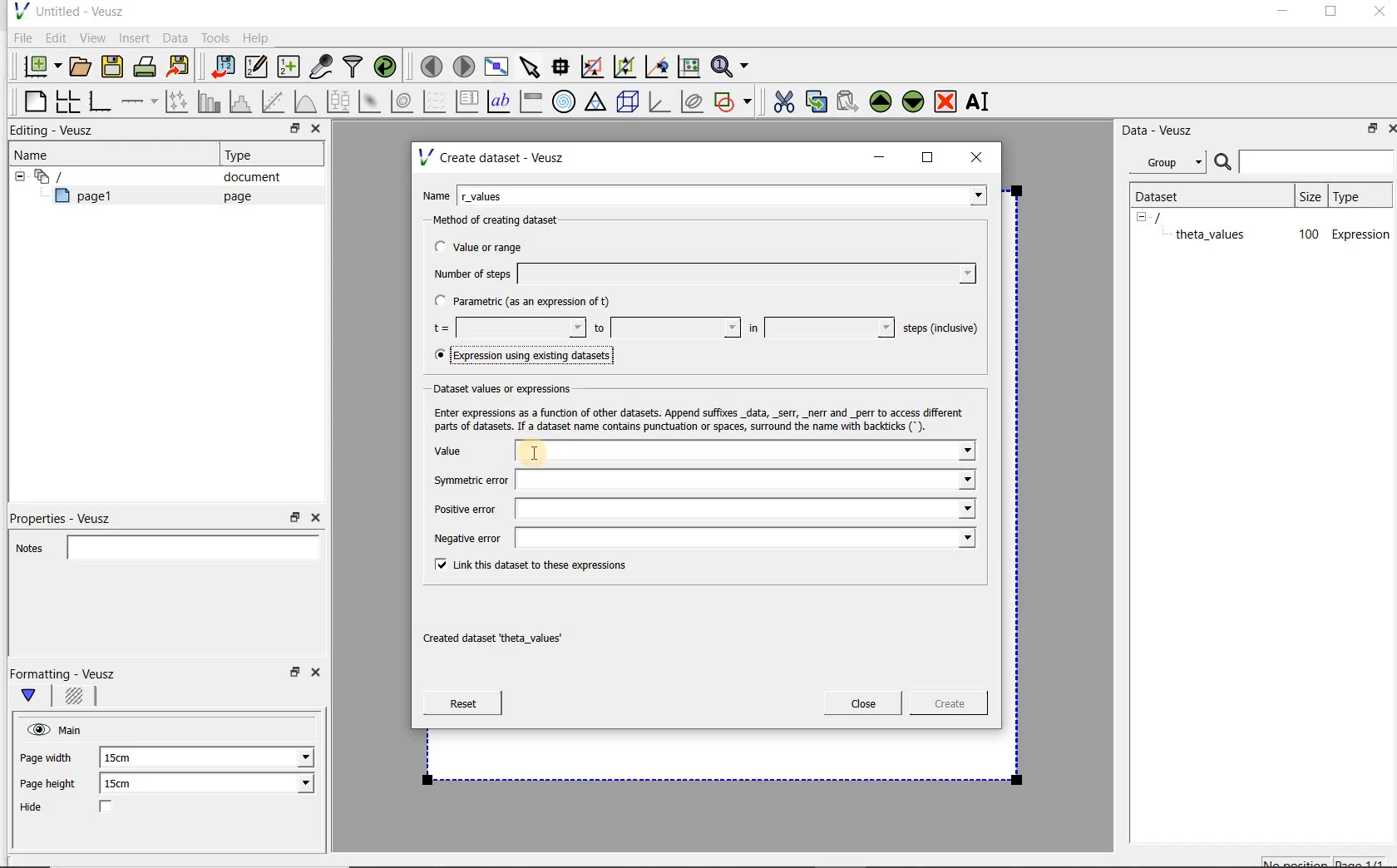  What do you see at coordinates (535, 356) in the screenshot?
I see `(® Expression using existing datasets` at bounding box center [535, 356].